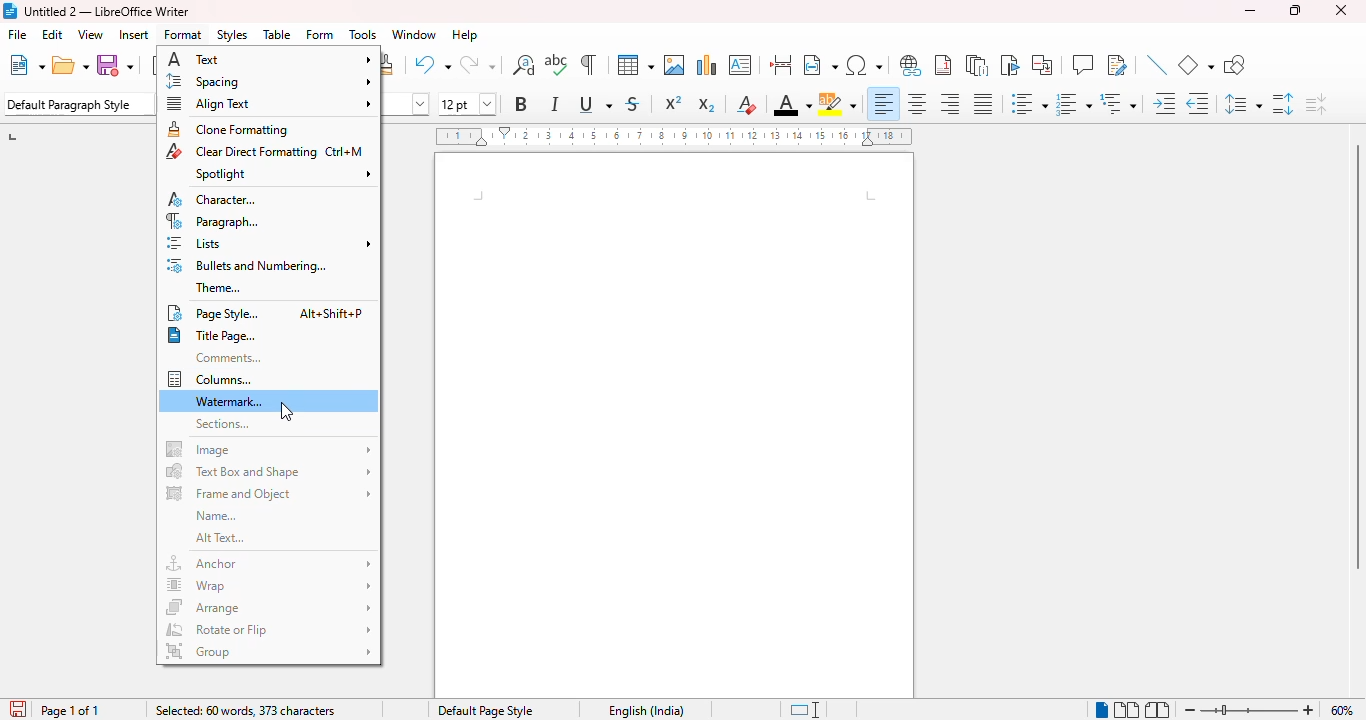 The image size is (1366, 720). I want to click on font color, so click(792, 106).